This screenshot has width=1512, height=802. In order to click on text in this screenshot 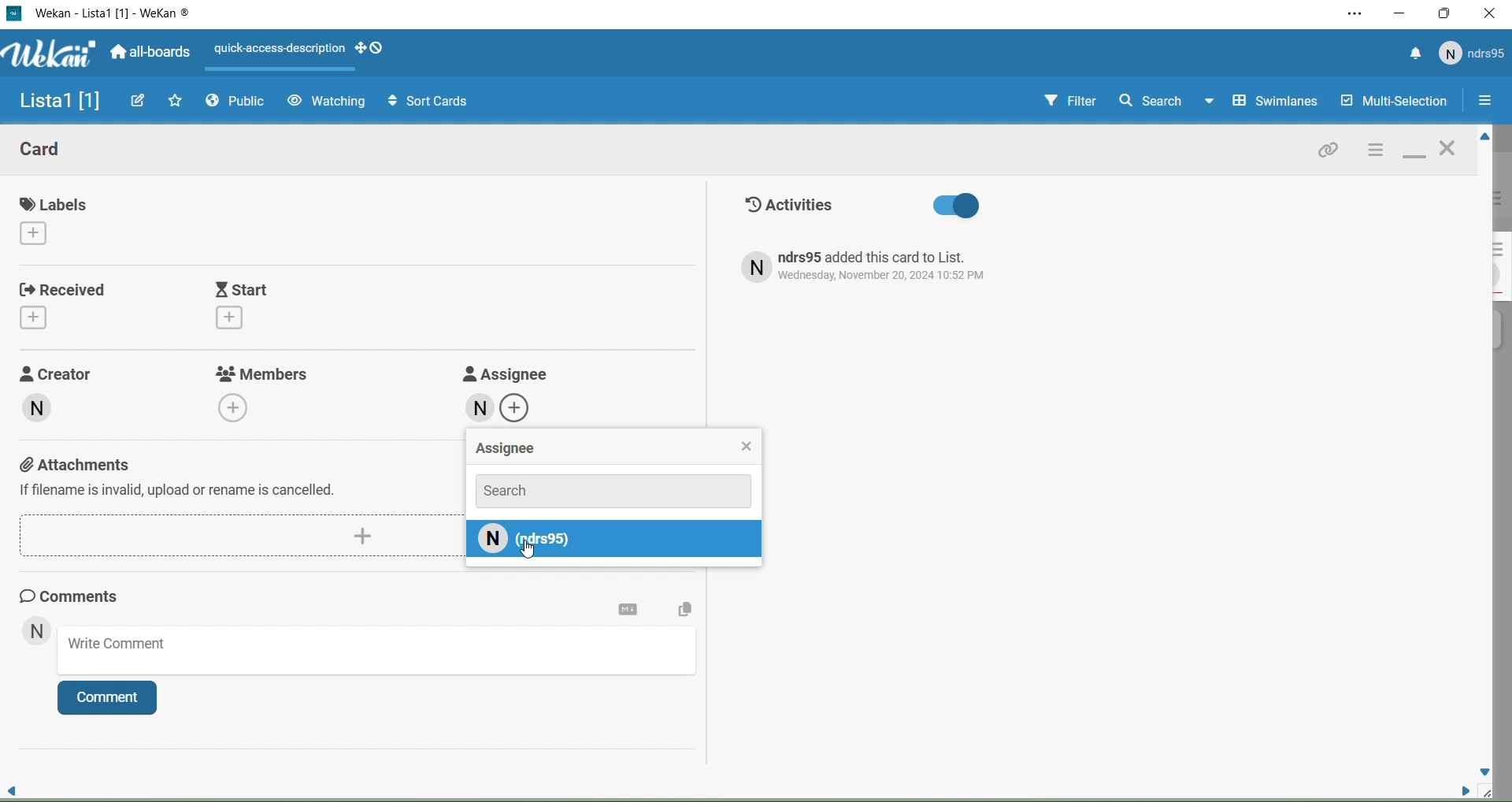, I will do `click(879, 267)`.